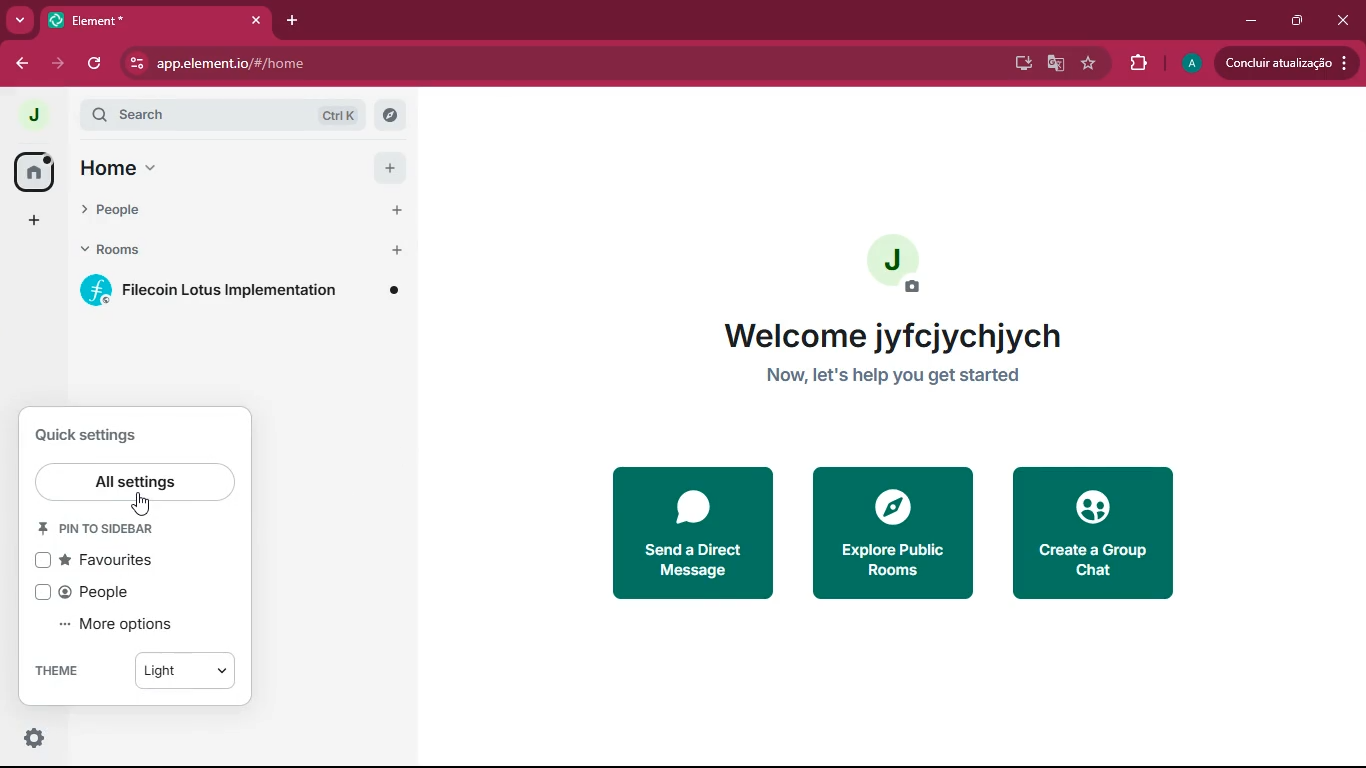 The width and height of the screenshot is (1366, 768). What do you see at coordinates (32, 221) in the screenshot?
I see `add` at bounding box center [32, 221].